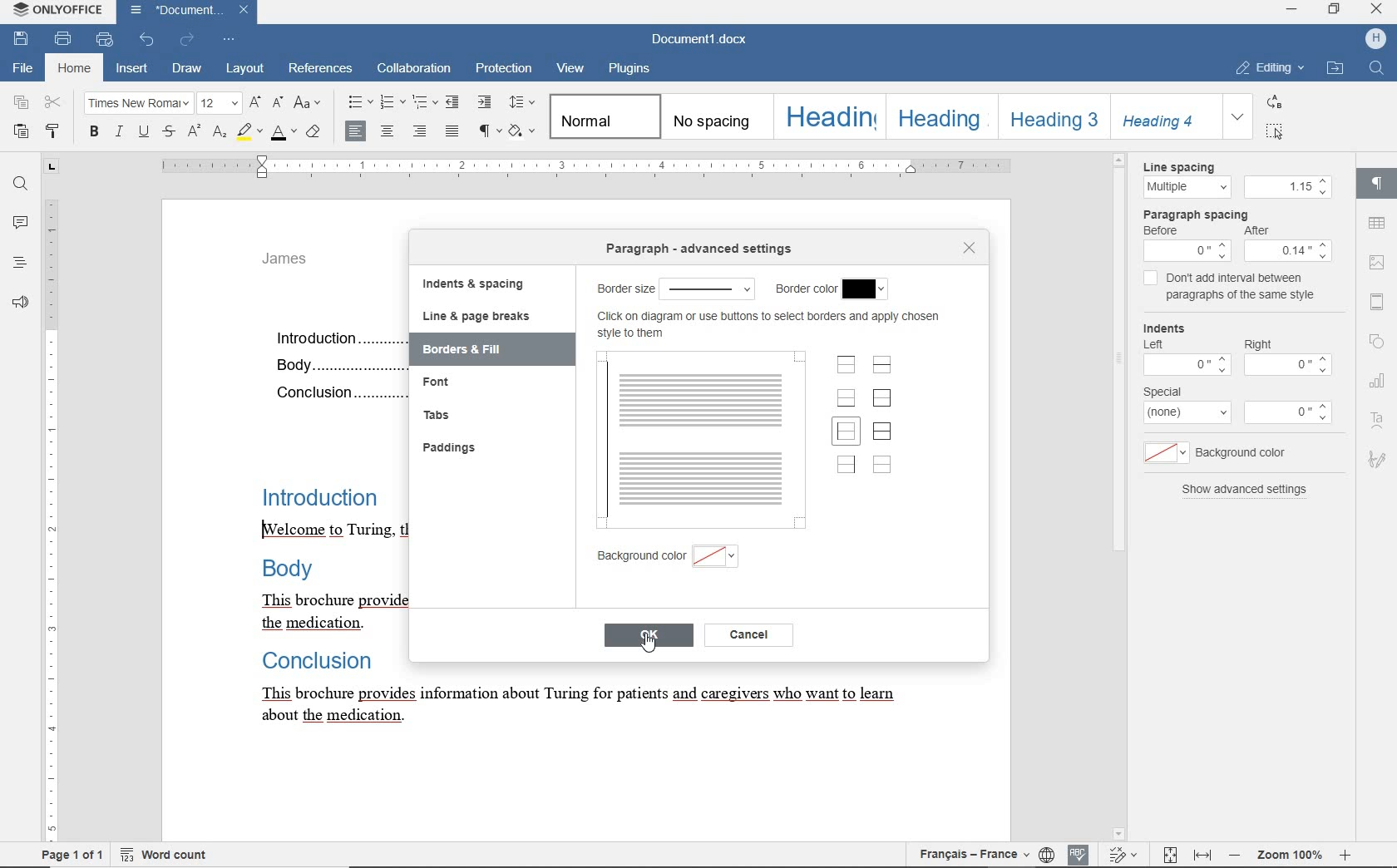 Image resolution: width=1397 pixels, height=868 pixels. What do you see at coordinates (297, 263) in the screenshot?
I see `James` at bounding box center [297, 263].